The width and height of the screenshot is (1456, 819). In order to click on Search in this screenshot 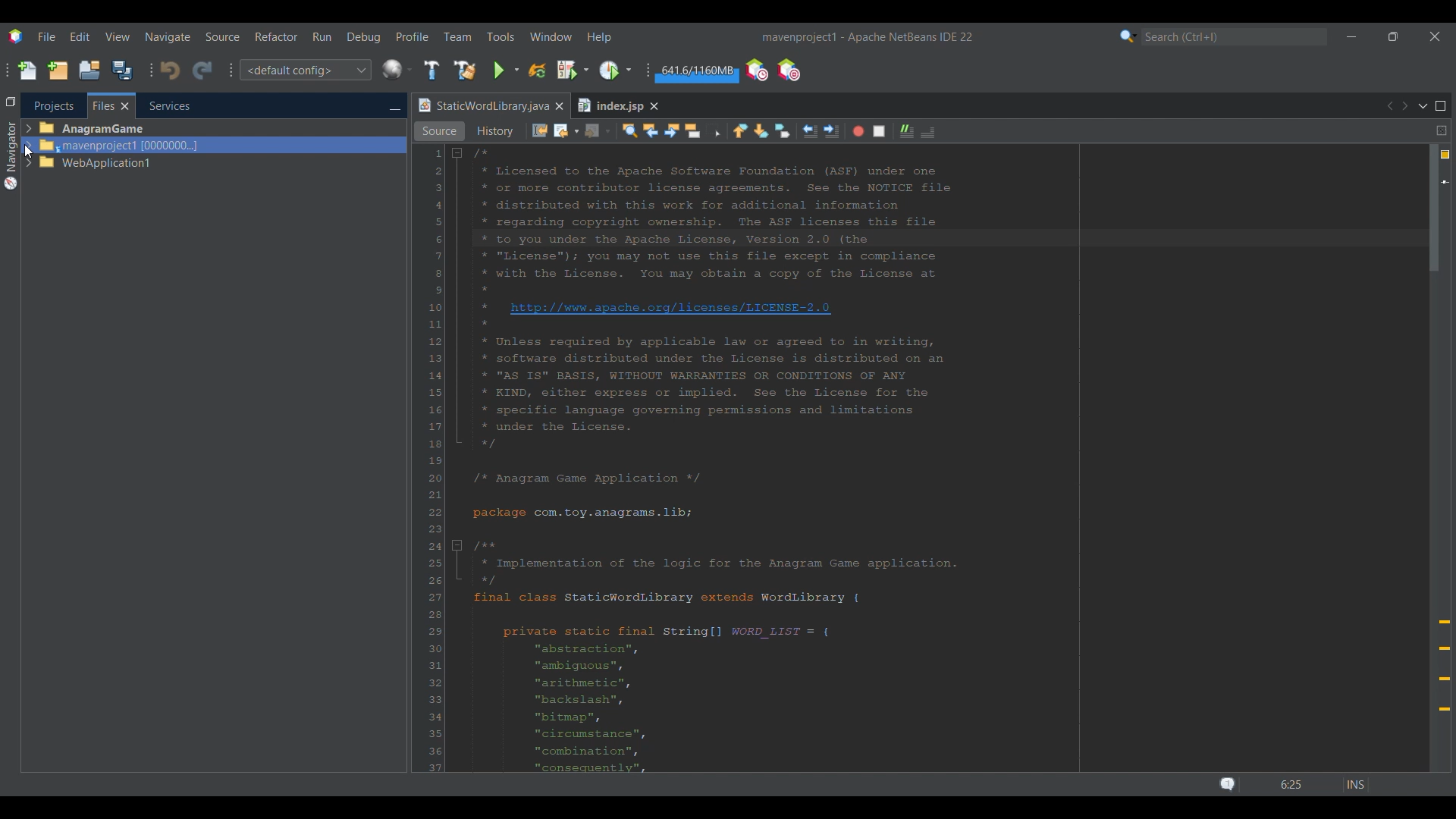, I will do `click(1235, 37)`.